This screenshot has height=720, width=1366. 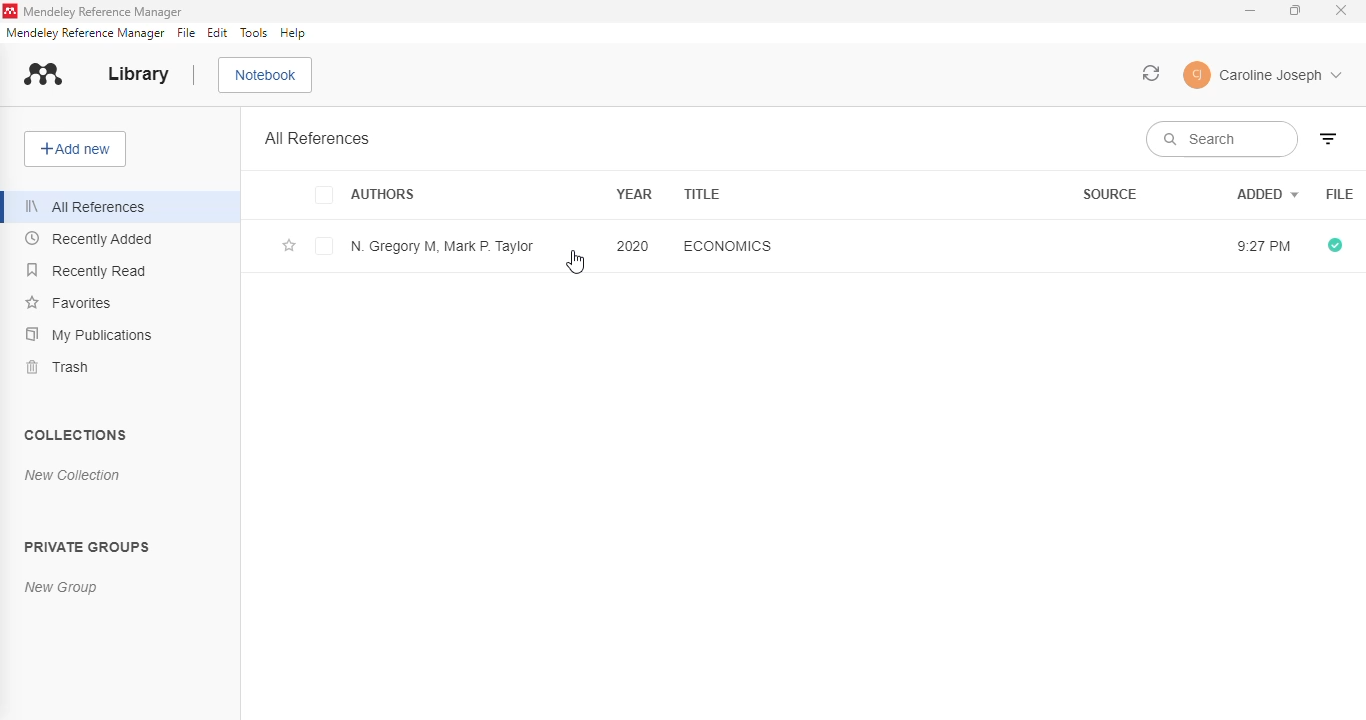 I want to click on 2020, so click(x=633, y=246).